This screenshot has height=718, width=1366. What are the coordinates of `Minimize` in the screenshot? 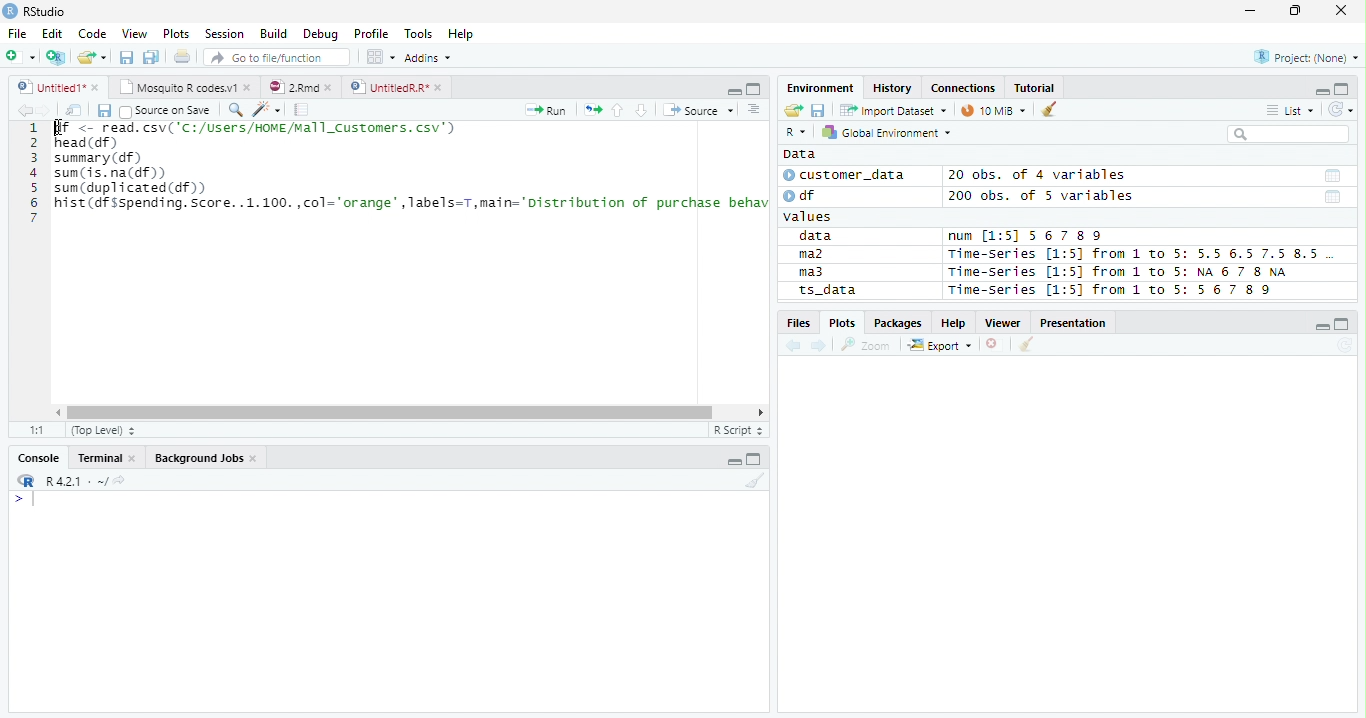 It's located at (732, 90).